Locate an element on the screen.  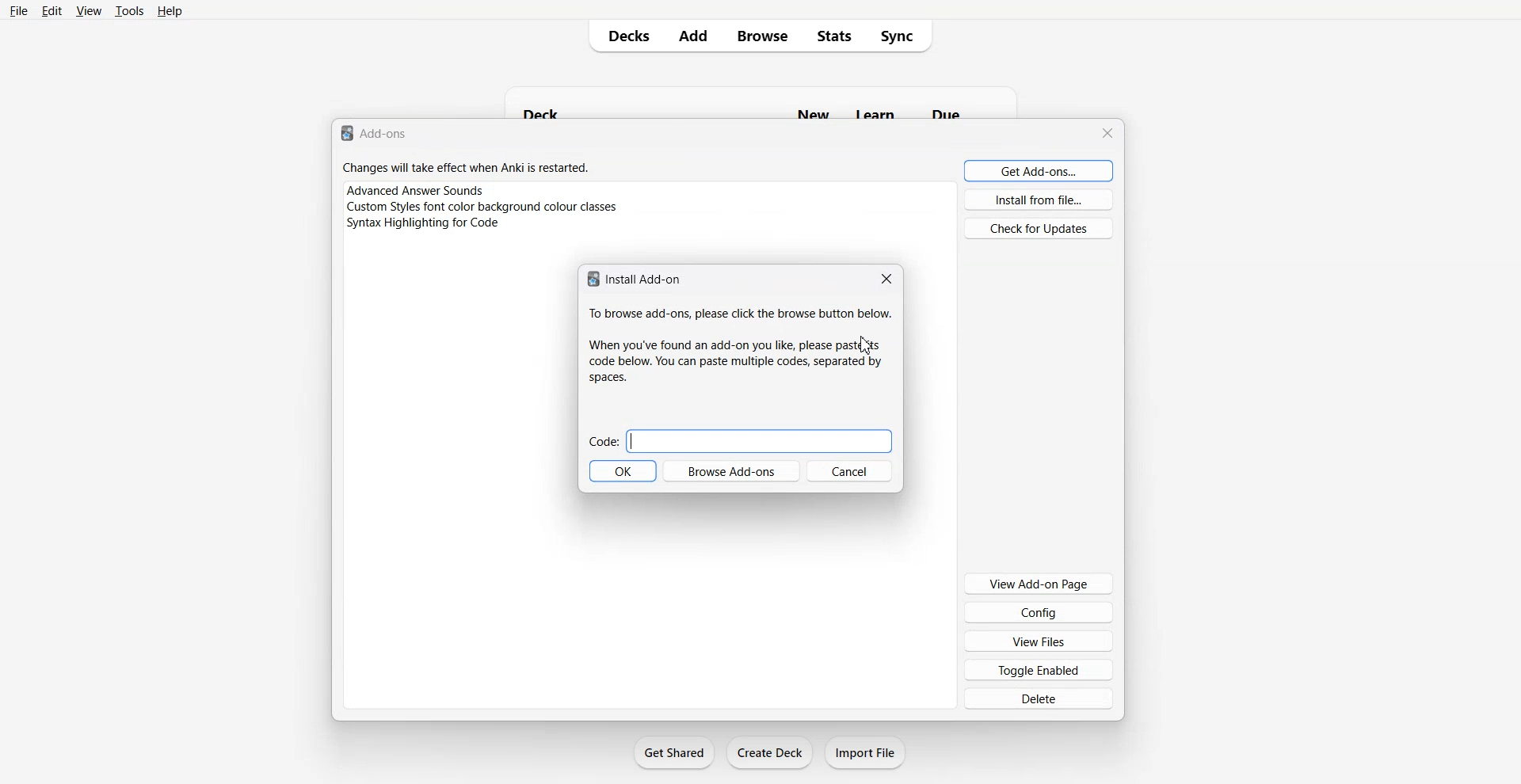
Code: is located at coordinates (603, 442).